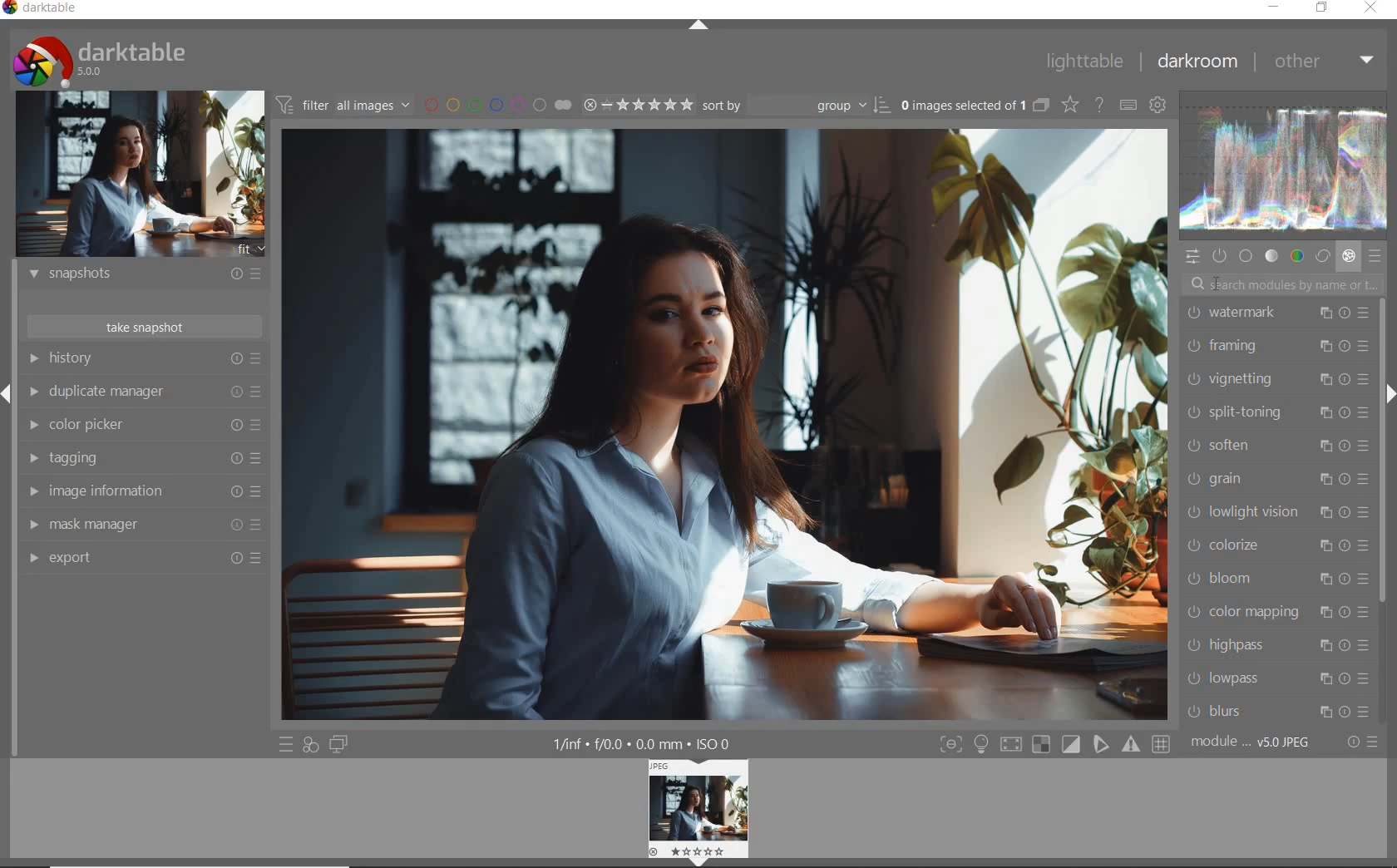 This screenshot has height=868, width=1397. I want to click on waveform, so click(1286, 169).